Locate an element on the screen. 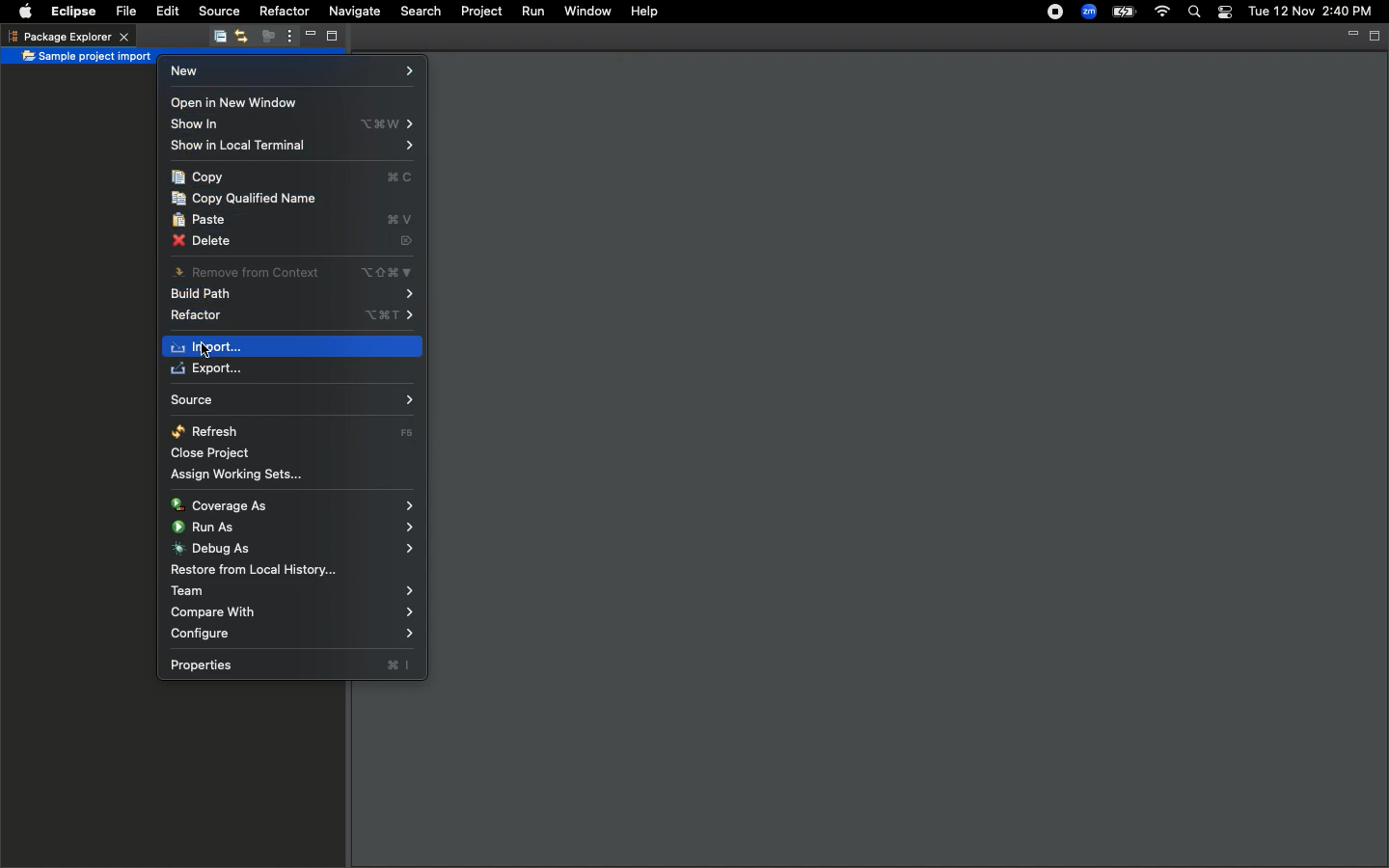  Charge is located at coordinates (1126, 12).